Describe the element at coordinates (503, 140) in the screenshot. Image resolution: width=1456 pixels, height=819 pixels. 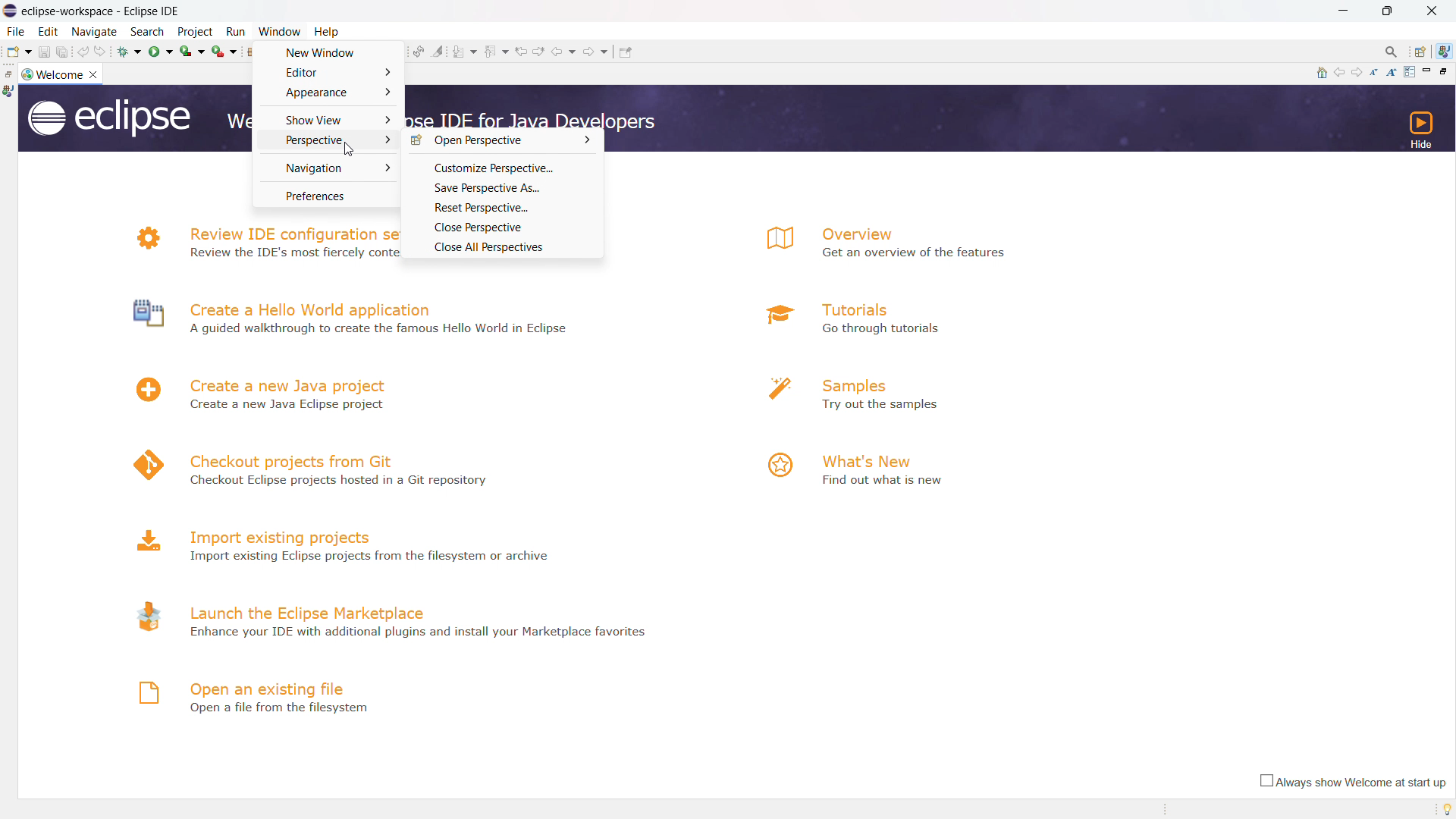
I see `open perspective` at that location.